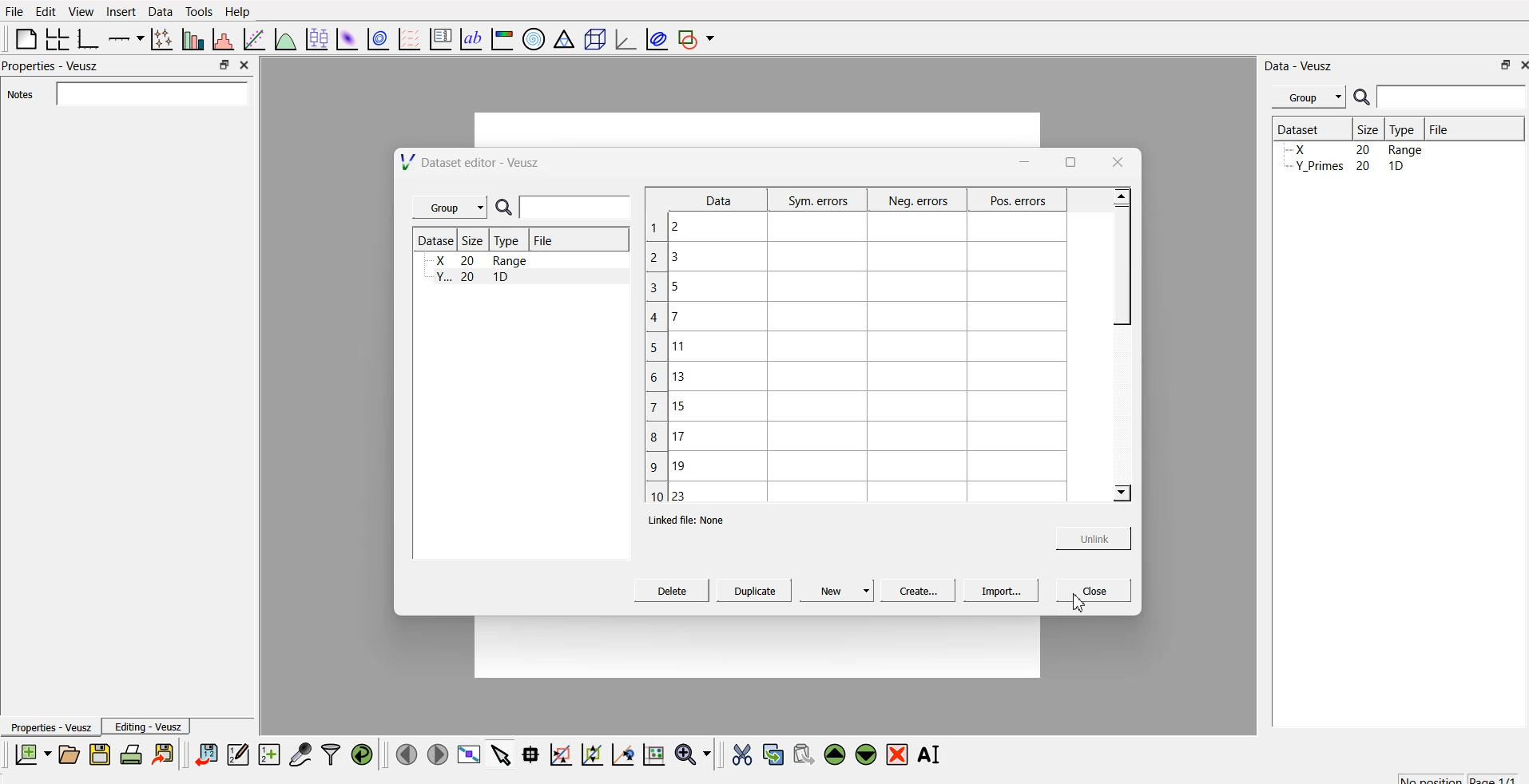  What do you see at coordinates (473, 163) in the screenshot?
I see `N \/ Dataset editor - Veusz` at bounding box center [473, 163].